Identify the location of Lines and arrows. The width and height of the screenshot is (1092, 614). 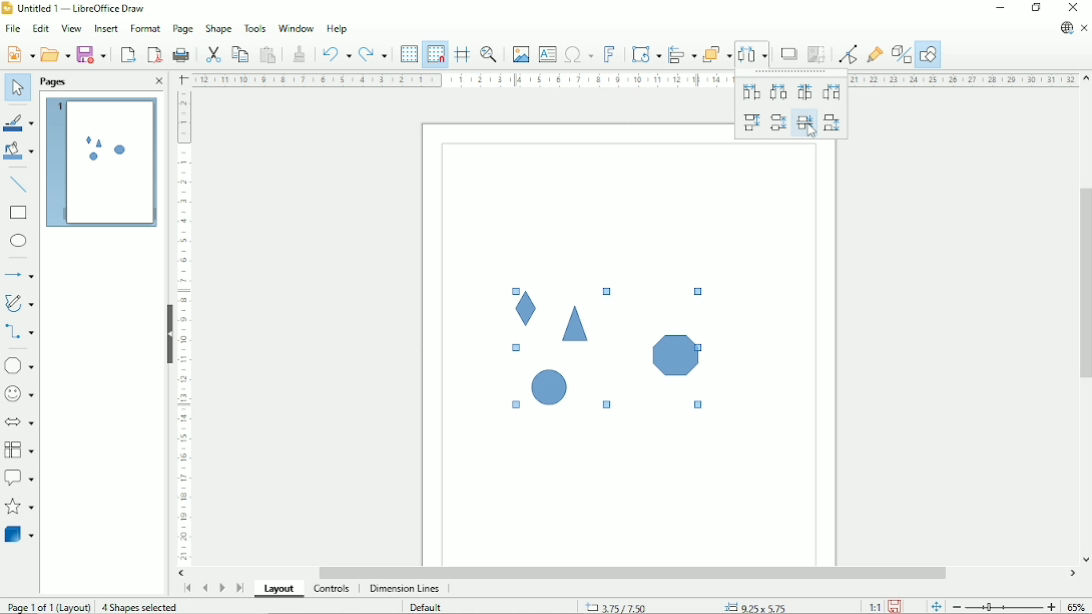
(21, 276).